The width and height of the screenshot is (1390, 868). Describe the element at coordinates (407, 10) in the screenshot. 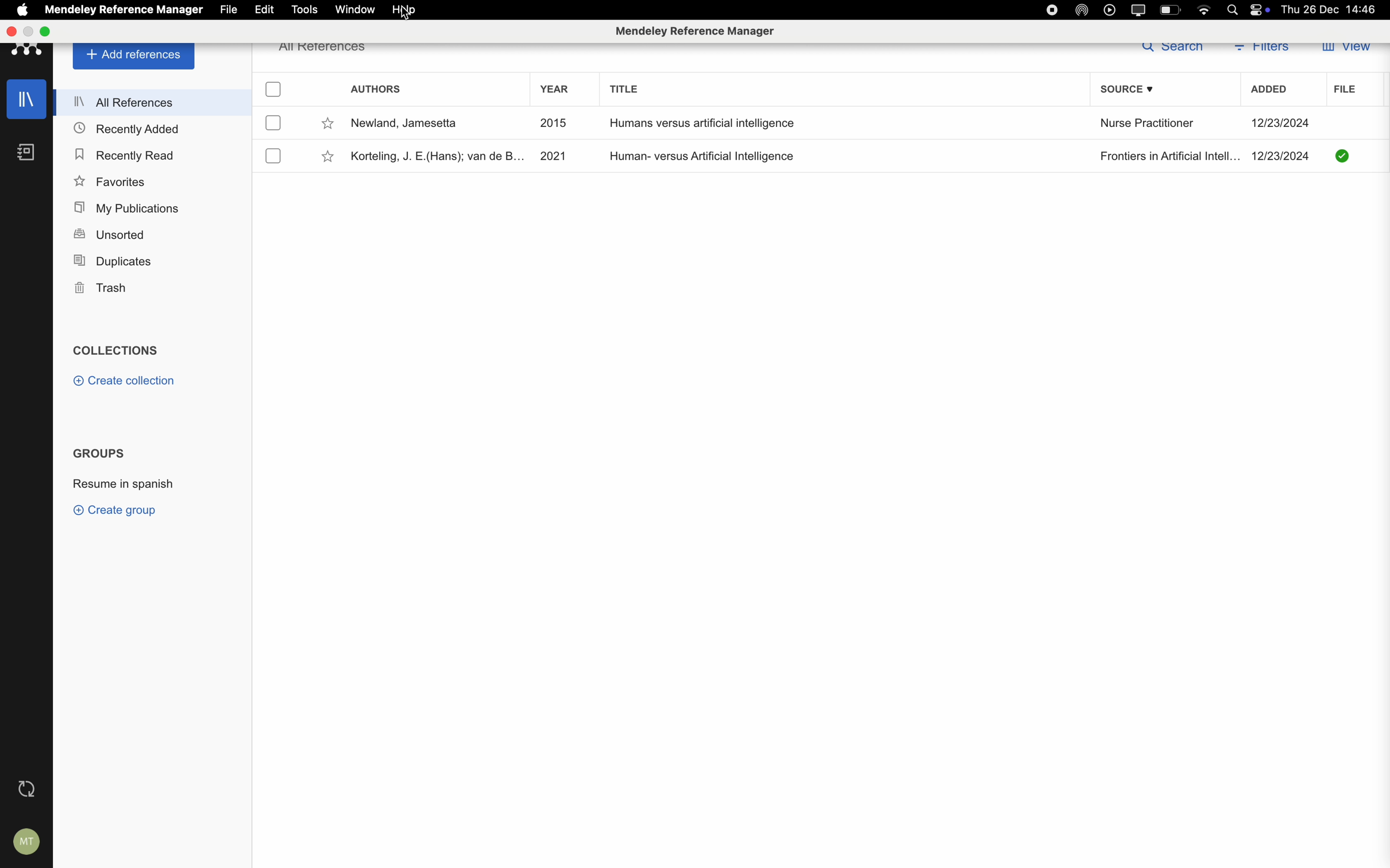

I see `click on help` at that location.